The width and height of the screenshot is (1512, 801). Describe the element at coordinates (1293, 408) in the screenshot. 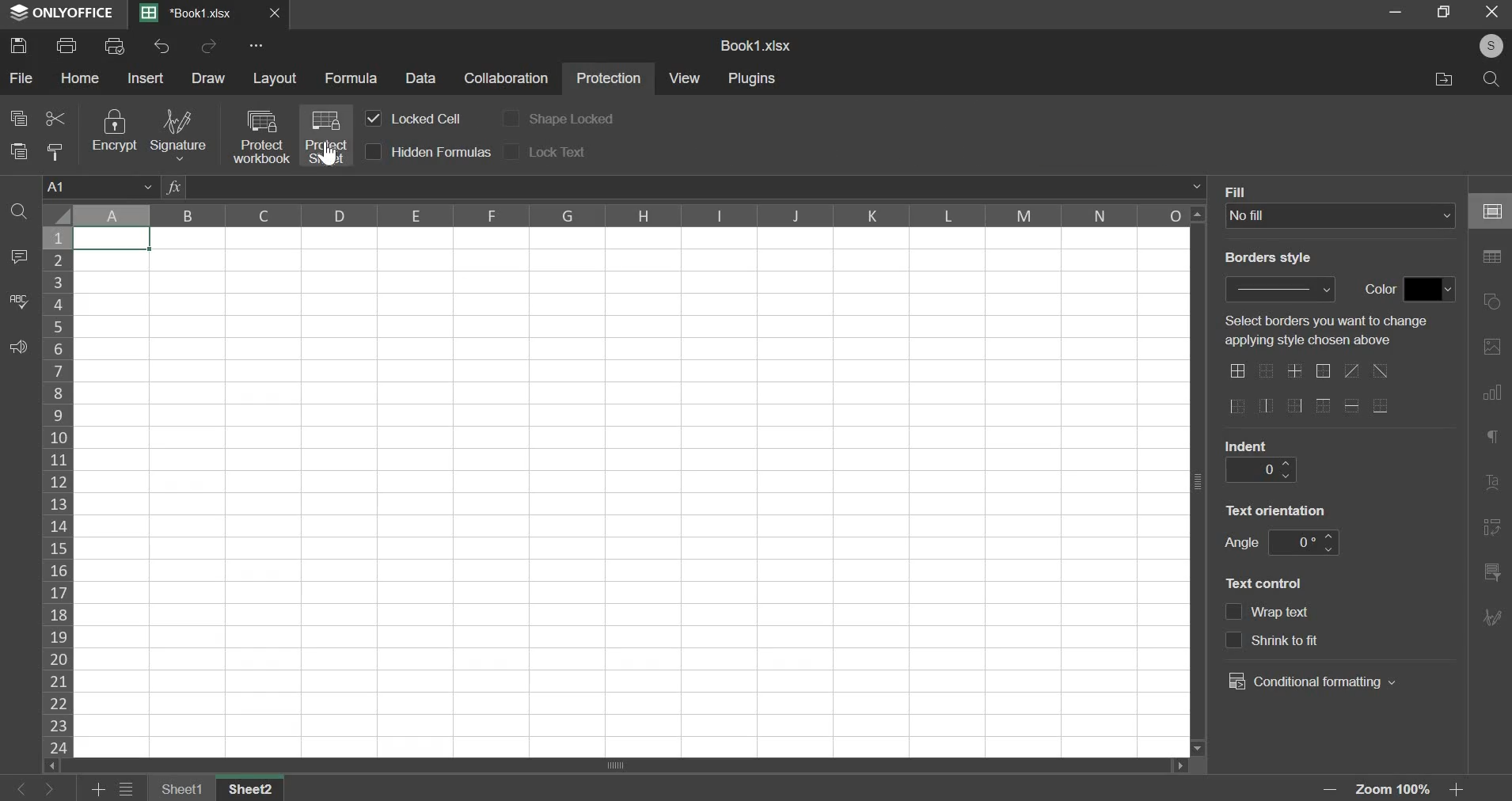

I see `border options` at that location.